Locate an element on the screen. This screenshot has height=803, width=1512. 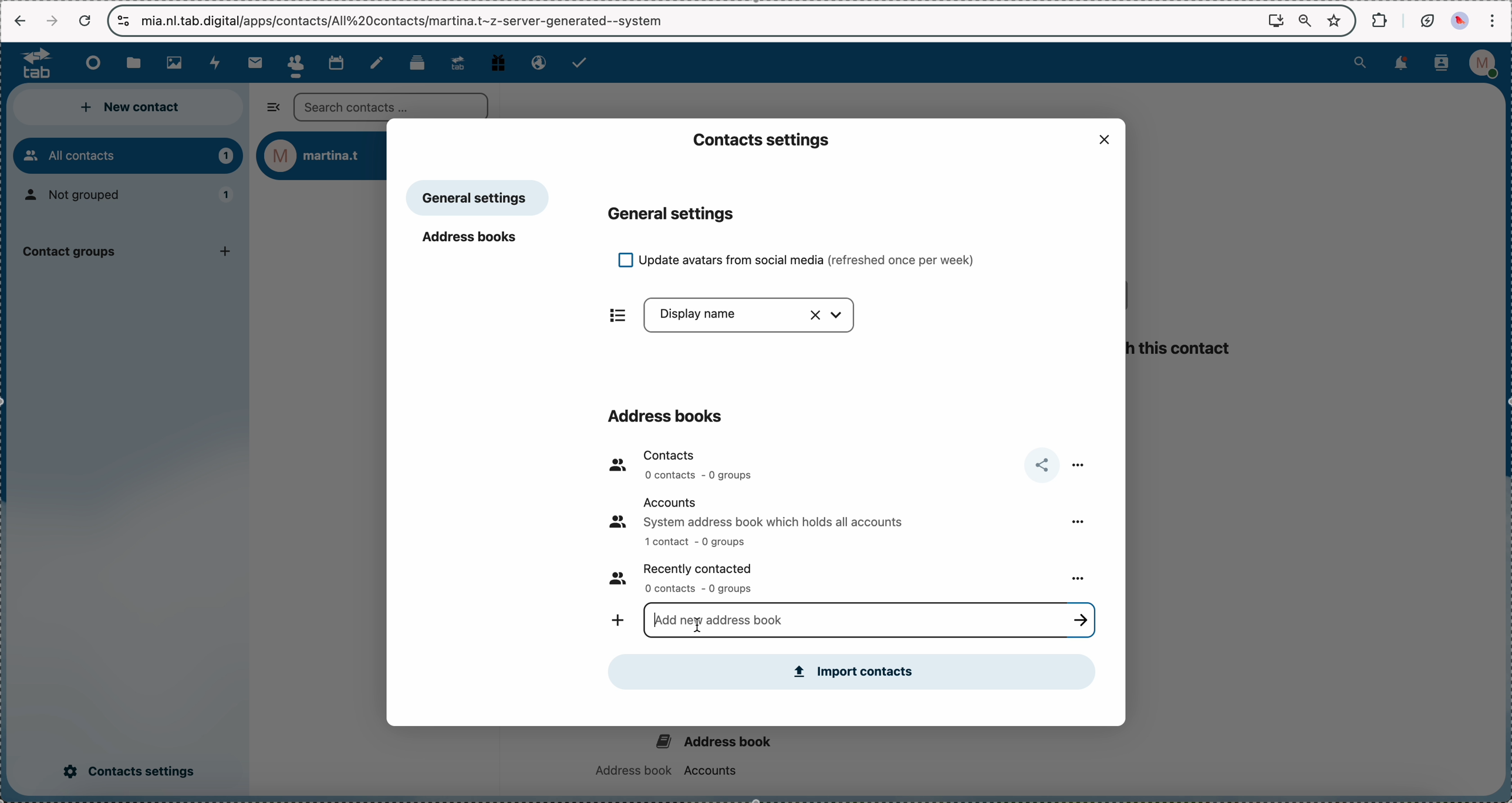
profile is located at coordinates (1483, 63).